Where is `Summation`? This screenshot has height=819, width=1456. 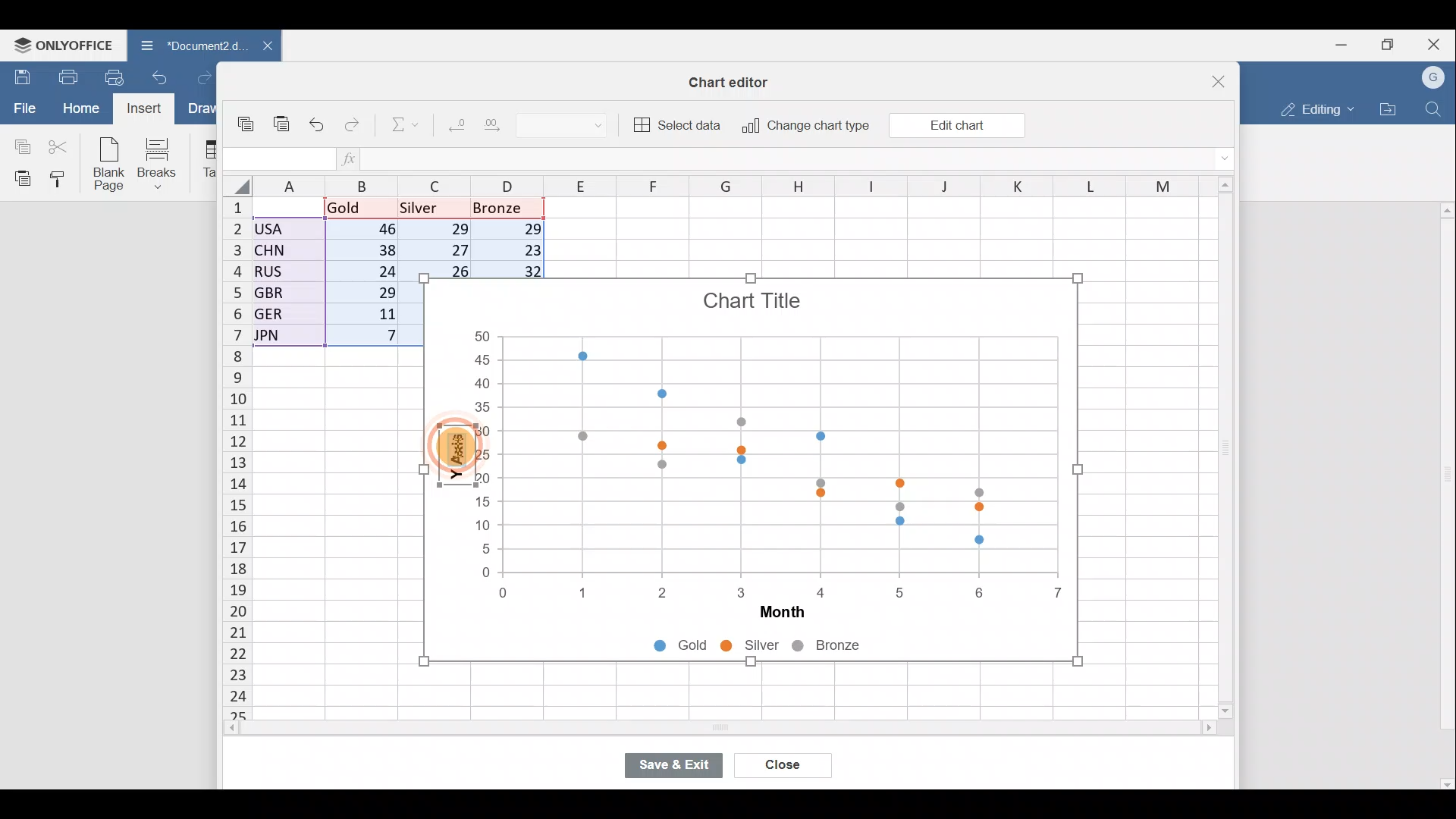
Summation is located at coordinates (399, 127).